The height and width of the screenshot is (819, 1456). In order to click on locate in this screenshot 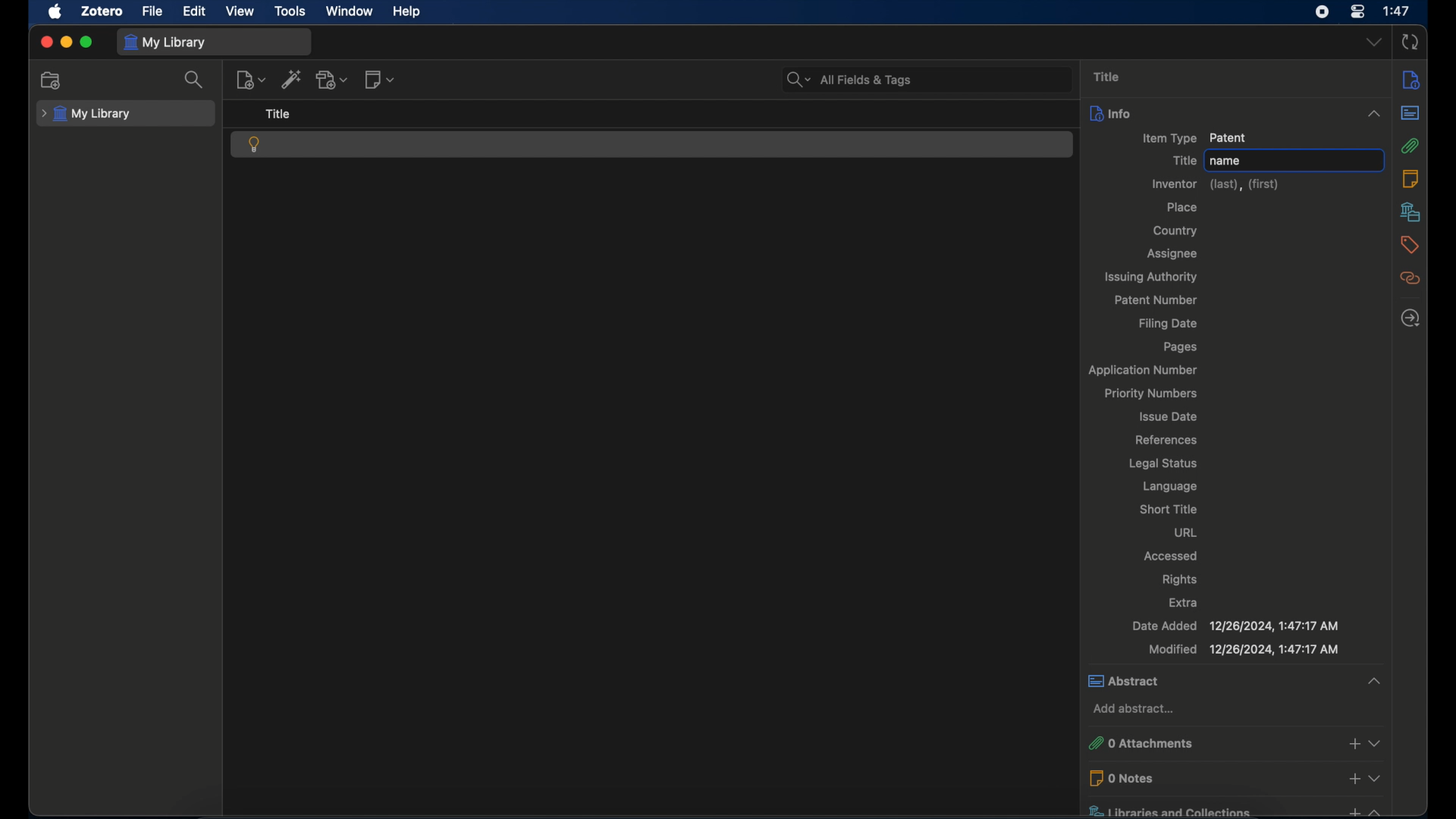, I will do `click(1410, 318)`.